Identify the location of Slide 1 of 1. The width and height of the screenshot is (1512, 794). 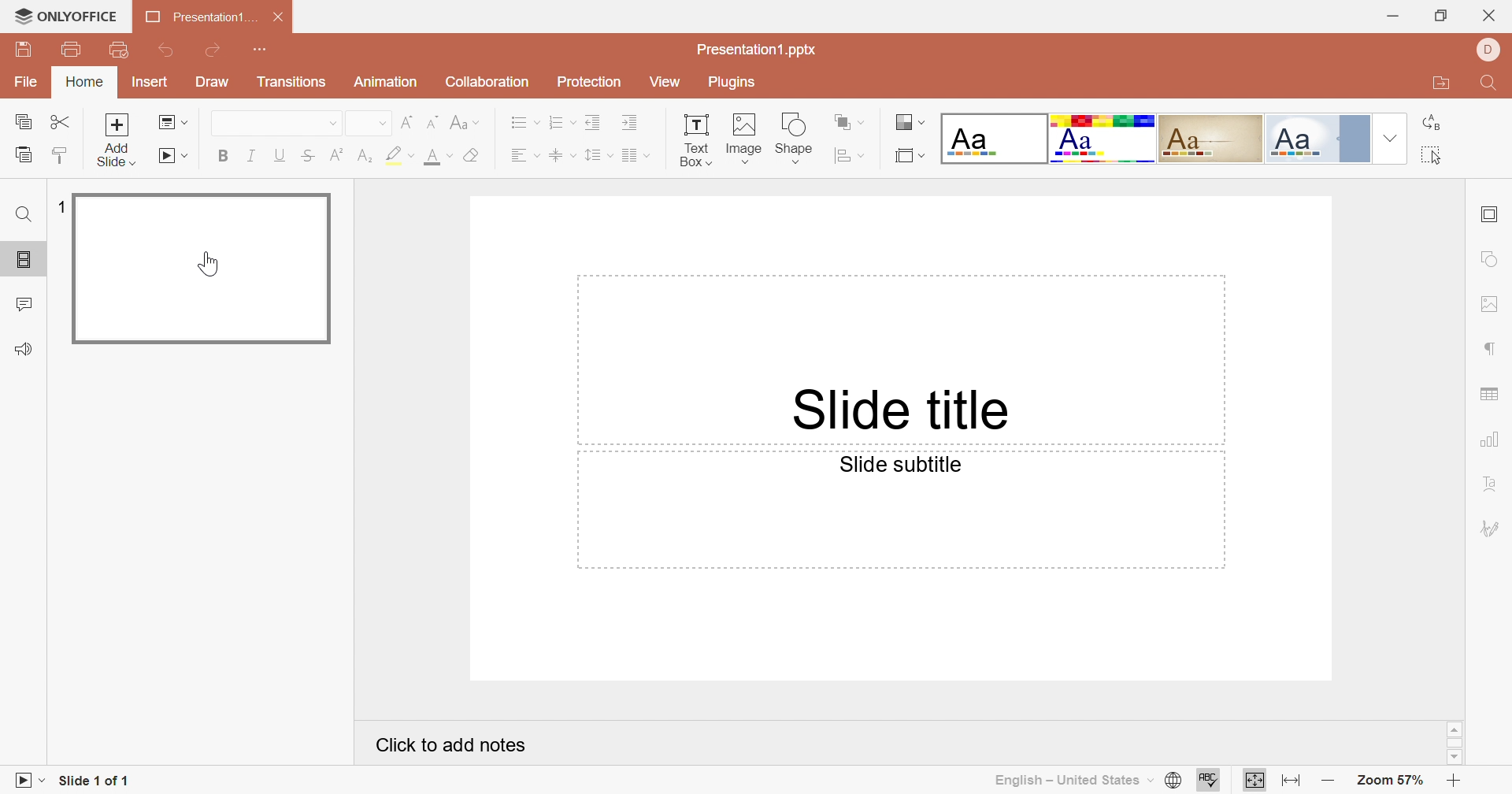
(98, 781).